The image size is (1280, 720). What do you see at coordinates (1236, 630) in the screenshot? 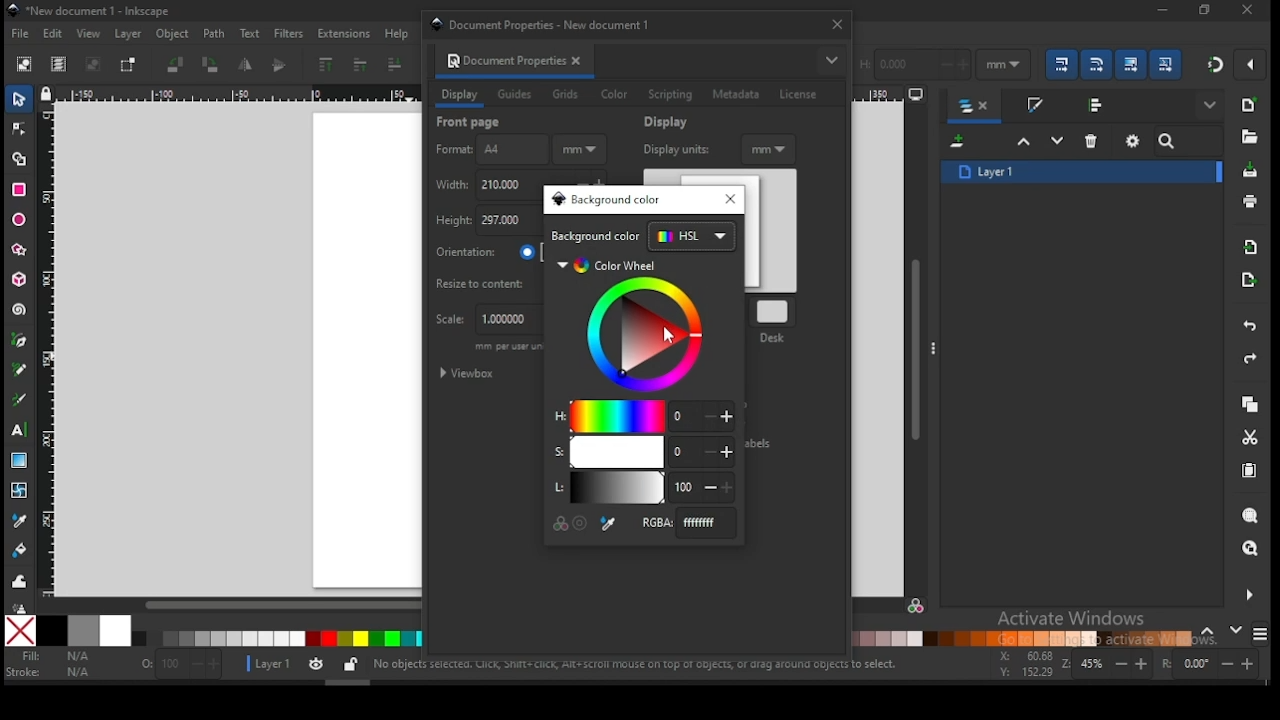
I see `next` at bounding box center [1236, 630].